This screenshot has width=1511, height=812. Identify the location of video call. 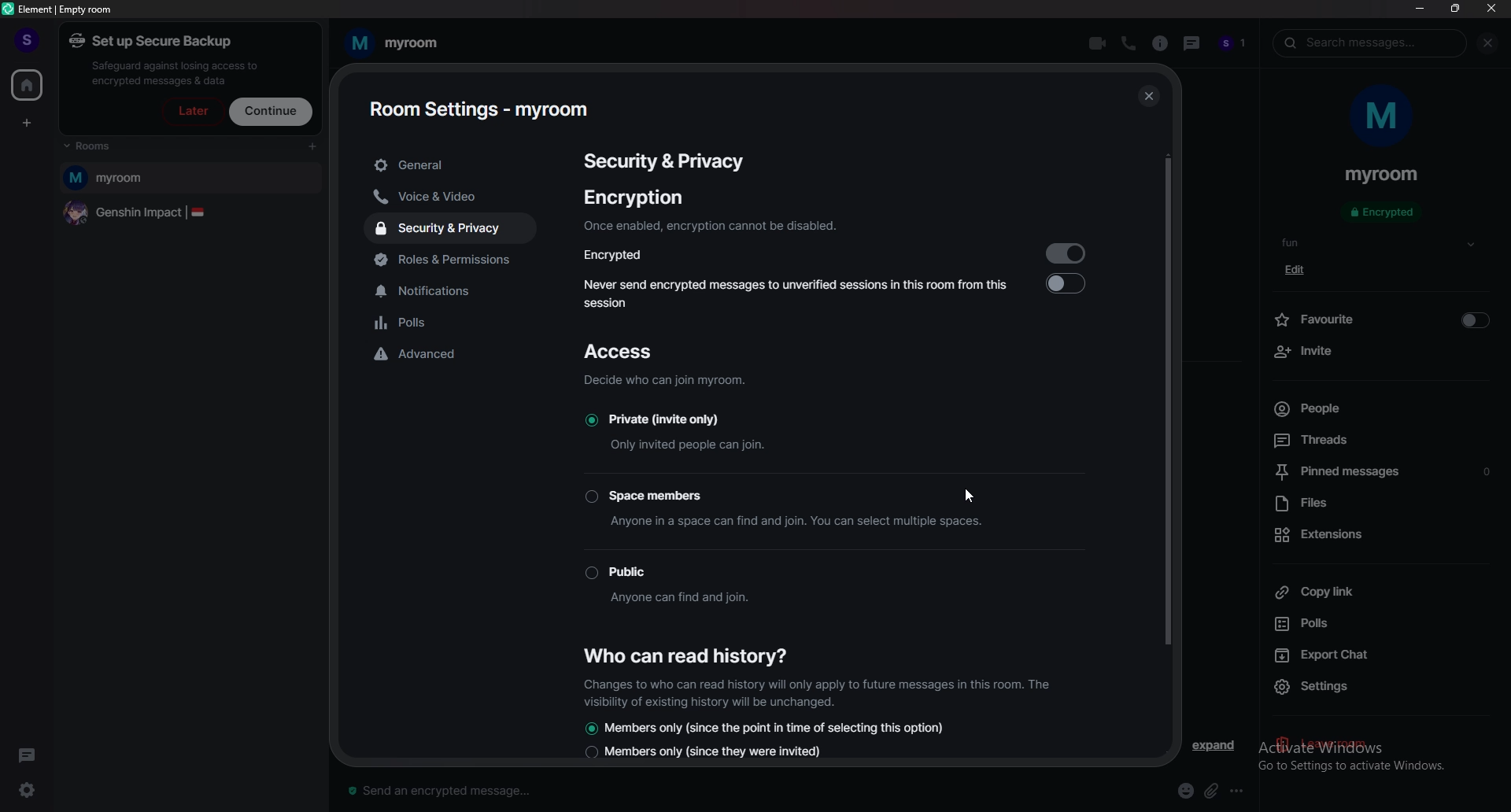
(1097, 43).